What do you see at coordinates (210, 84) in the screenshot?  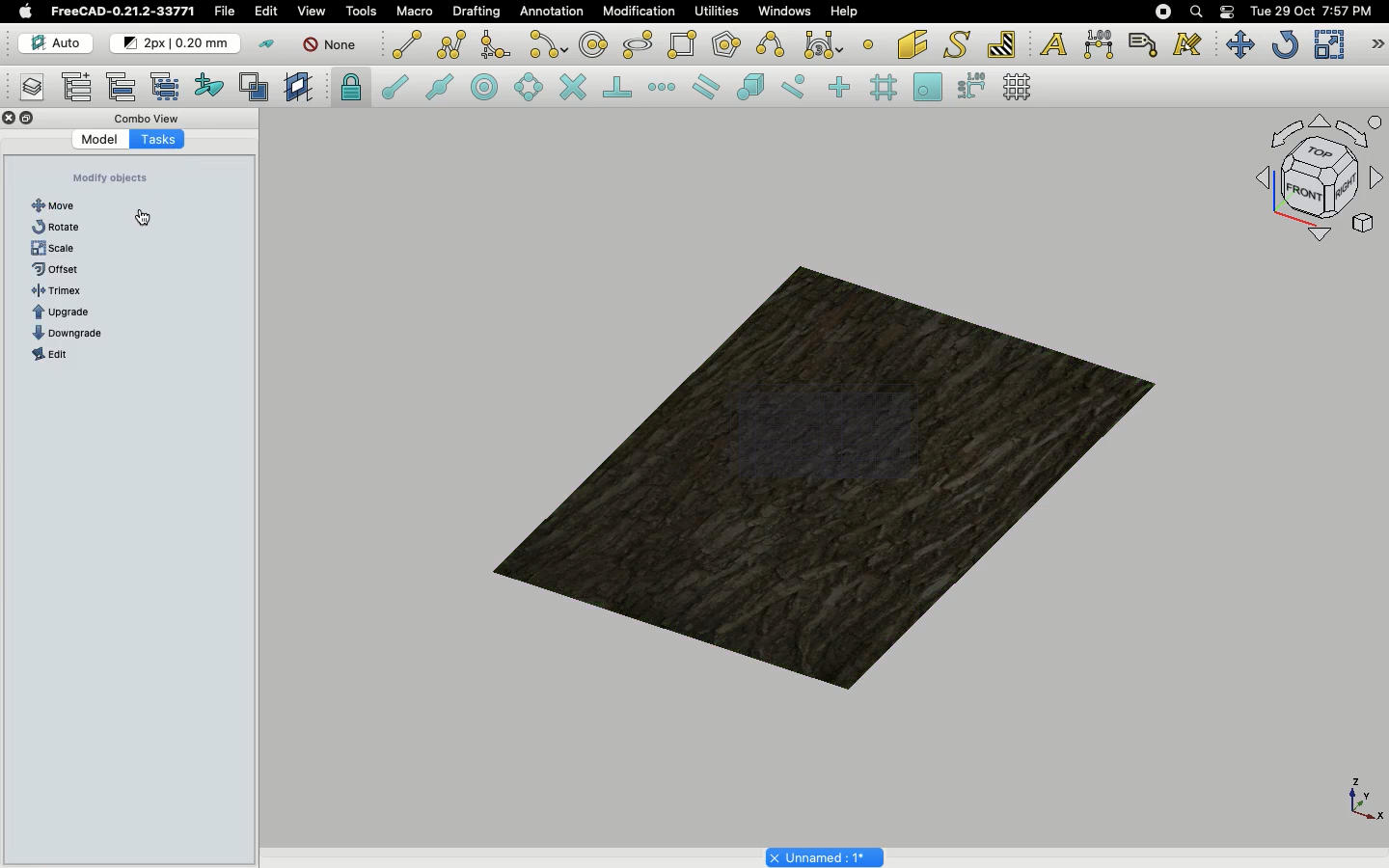 I see `Add to construction group` at bounding box center [210, 84].